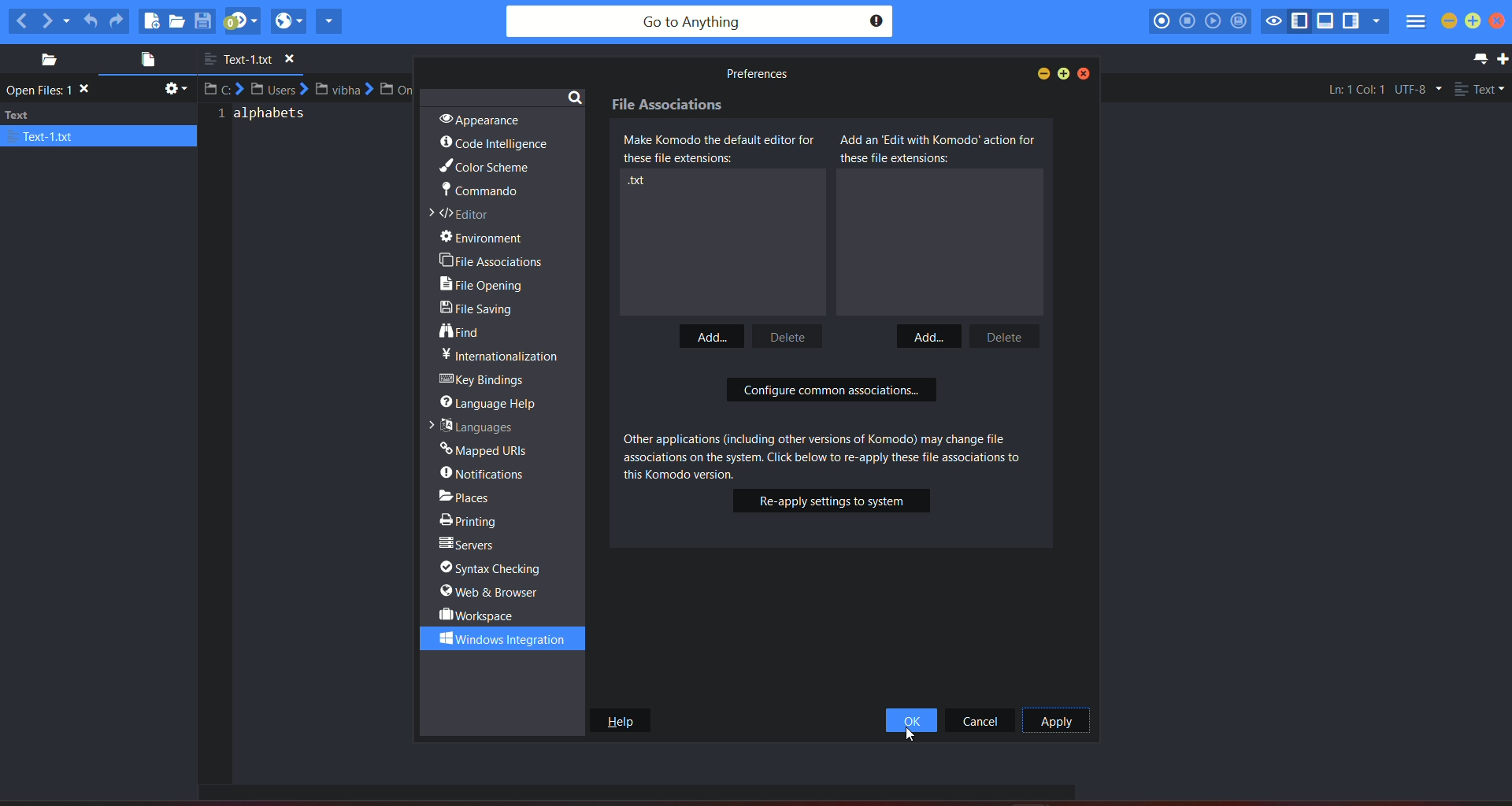 The height and width of the screenshot is (806, 1512). Describe the element at coordinates (575, 96) in the screenshot. I see `search` at that location.